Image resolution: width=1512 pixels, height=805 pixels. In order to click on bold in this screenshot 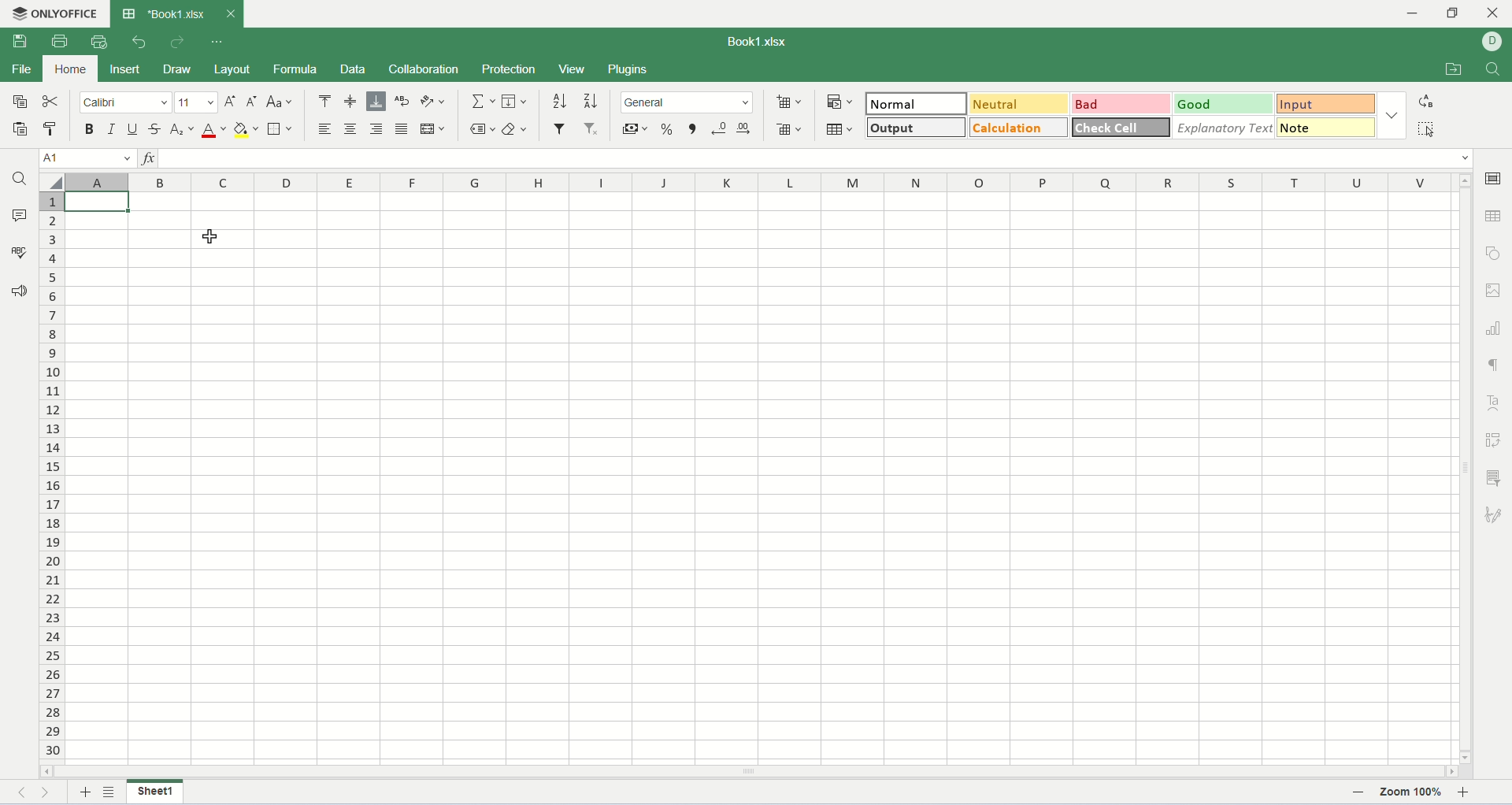, I will do `click(88, 129)`.